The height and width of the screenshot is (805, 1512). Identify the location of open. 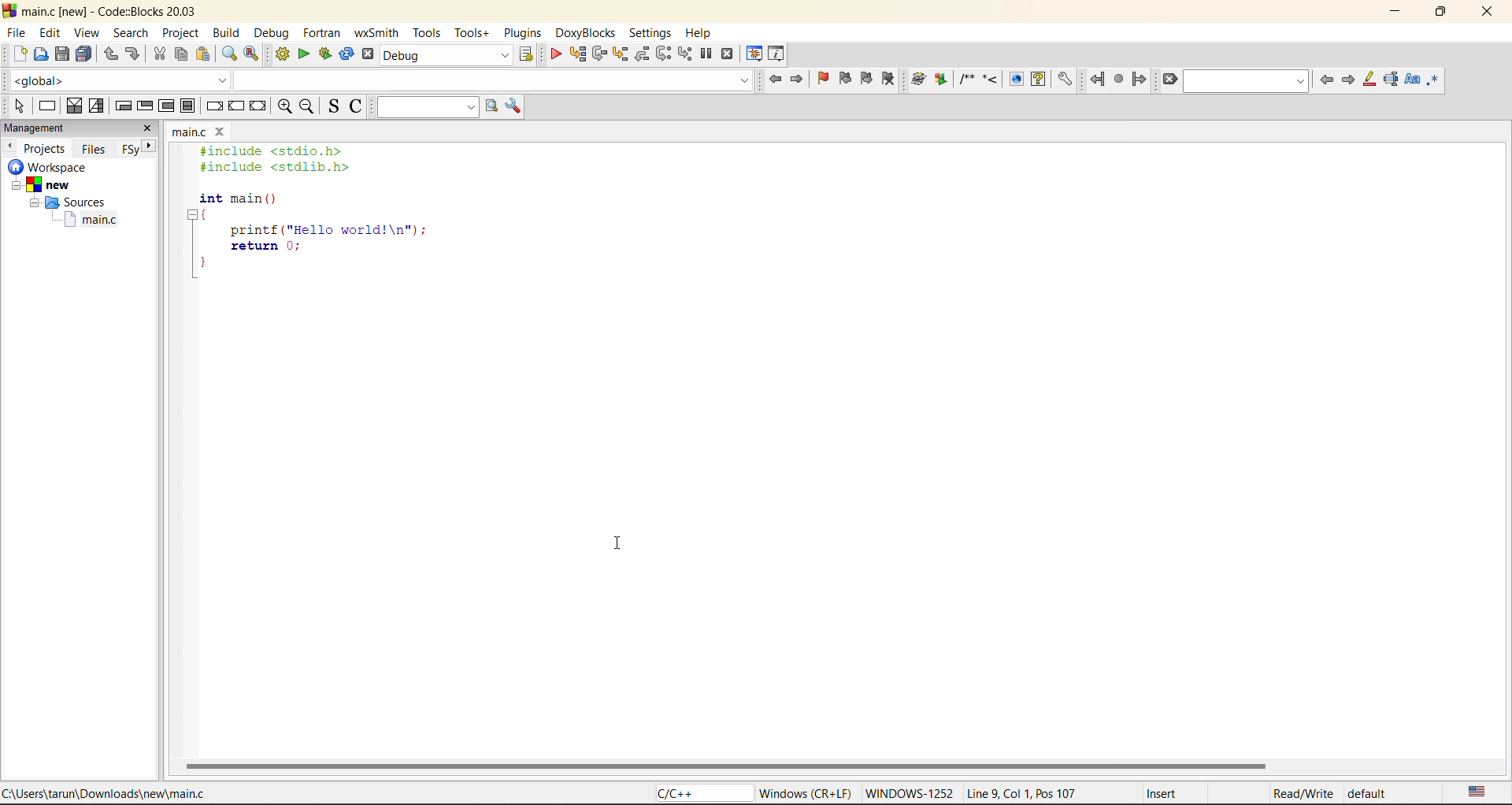
(42, 54).